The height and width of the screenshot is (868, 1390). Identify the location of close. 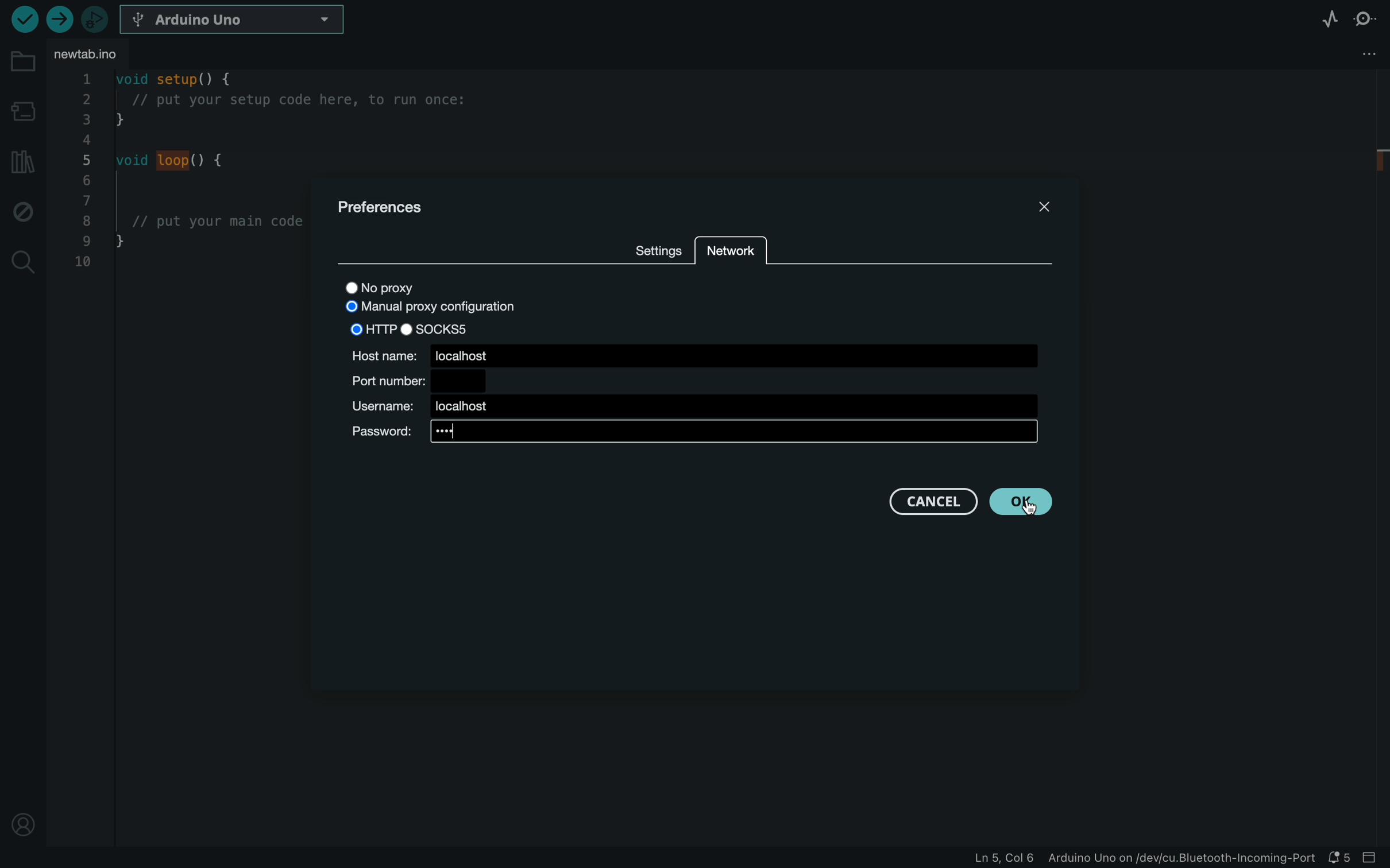
(1030, 210).